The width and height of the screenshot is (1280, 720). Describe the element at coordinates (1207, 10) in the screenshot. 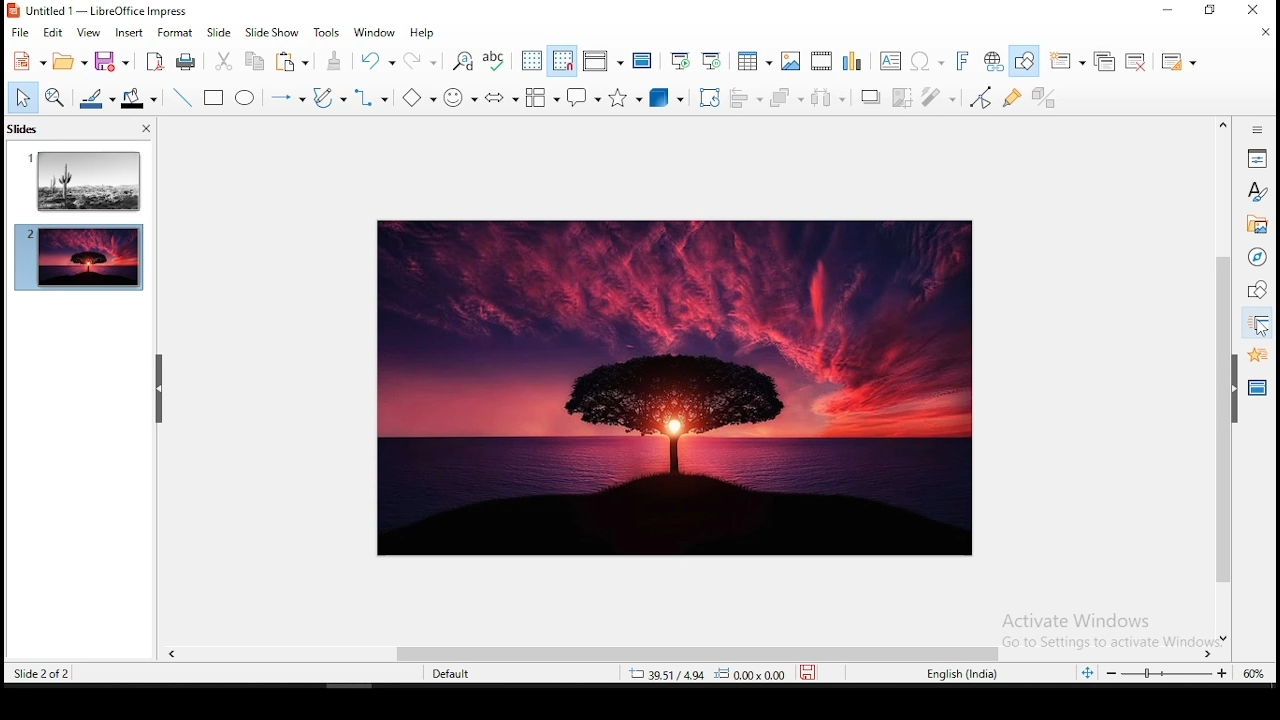

I see `Restore` at that location.